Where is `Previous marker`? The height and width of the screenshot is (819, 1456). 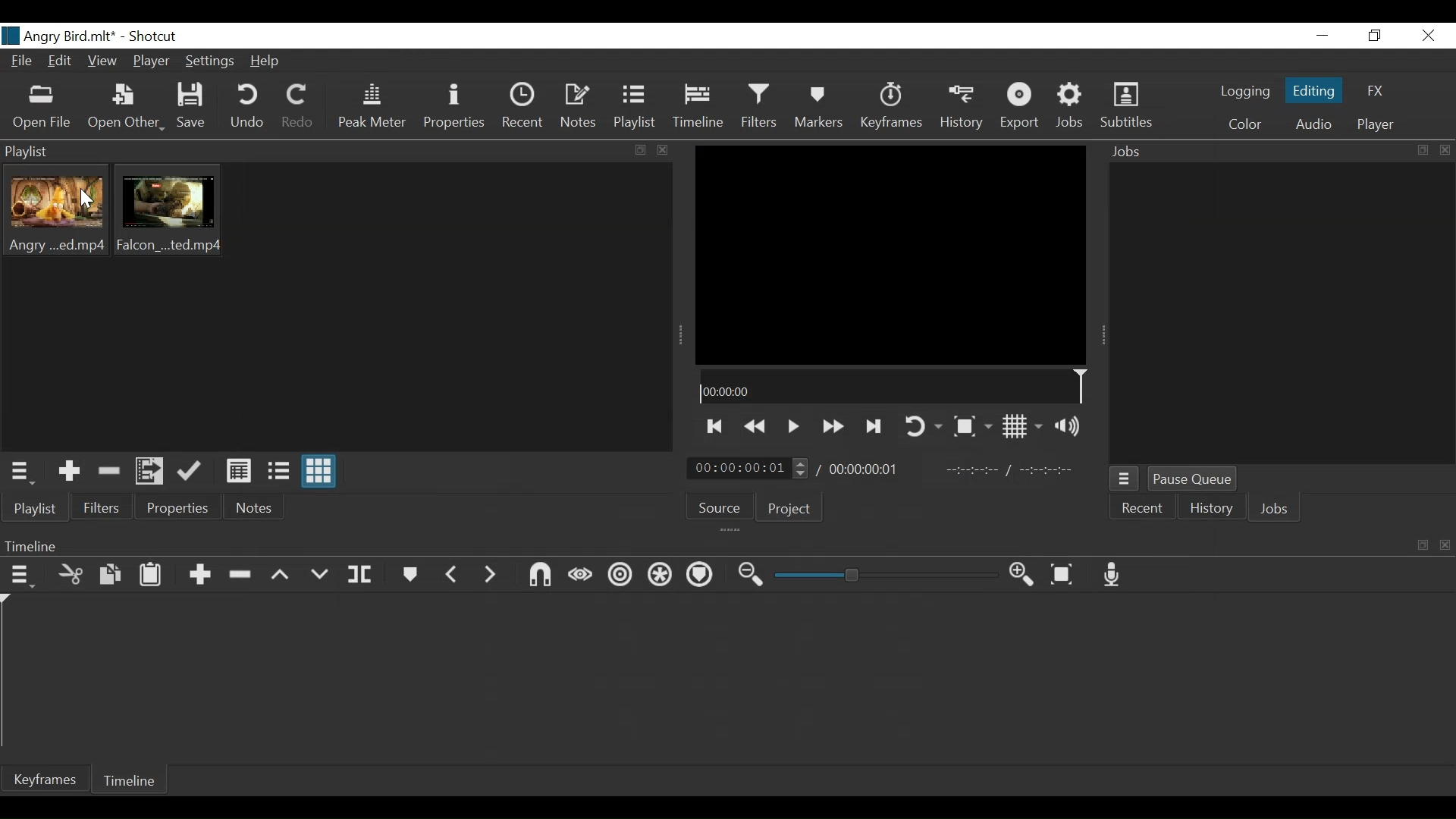 Previous marker is located at coordinates (452, 576).